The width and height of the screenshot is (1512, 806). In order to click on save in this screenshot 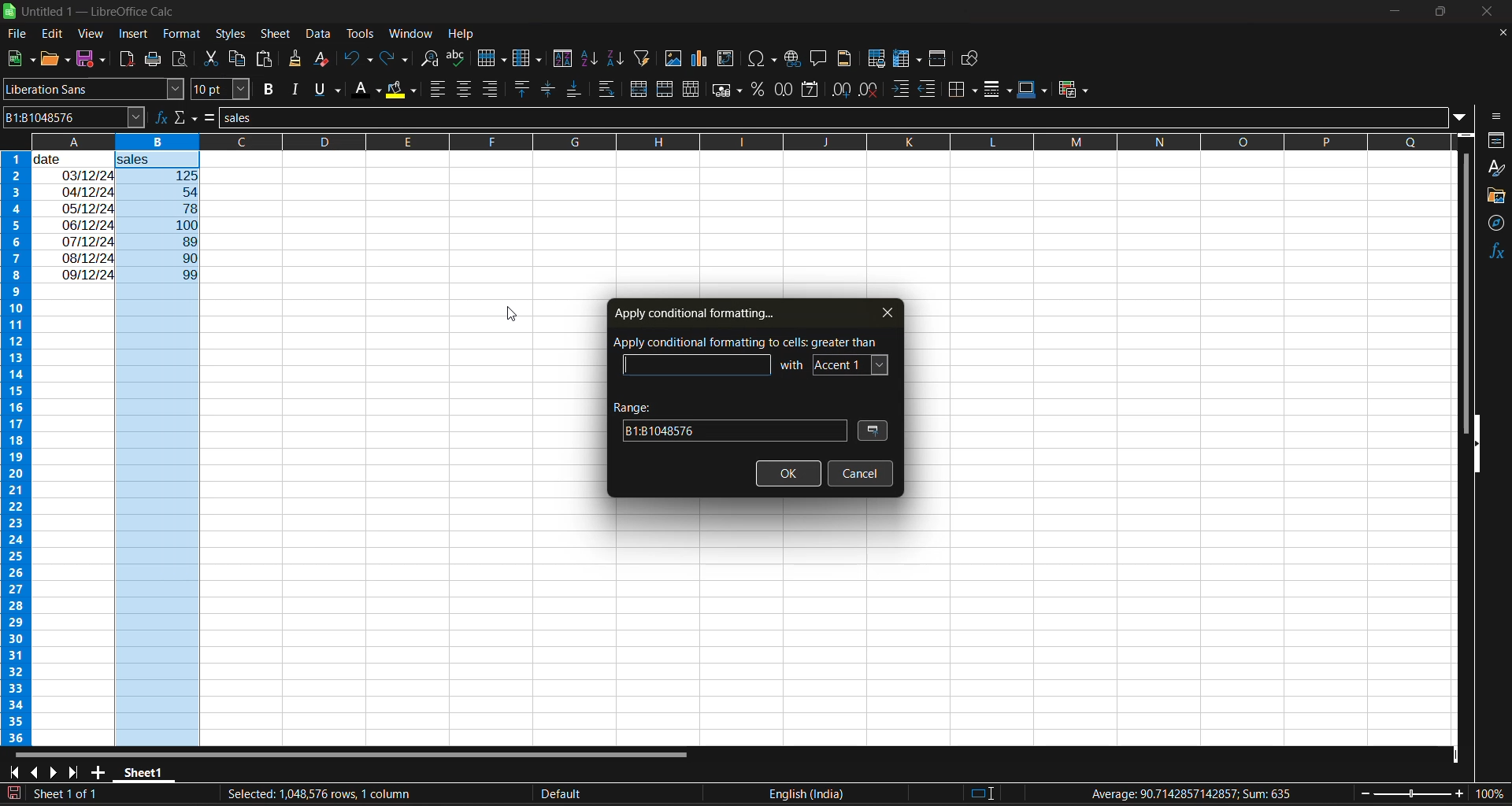, I will do `click(93, 60)`.